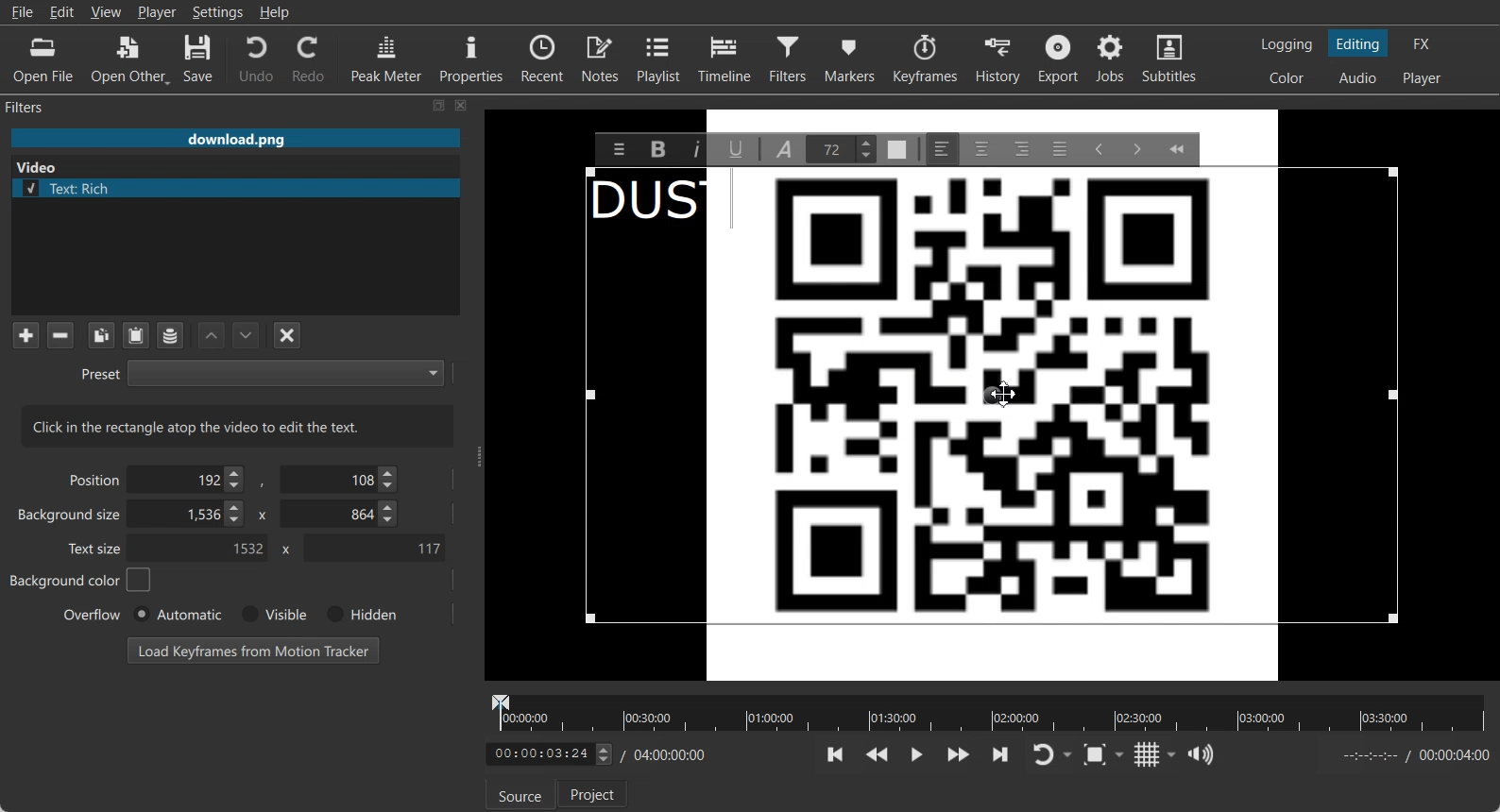 The width and height of the screenshot is (1500, 812). What do you see at coordinates (542, 57) in the screenshot?
I see `Recent` at bounding box center [542, 57].